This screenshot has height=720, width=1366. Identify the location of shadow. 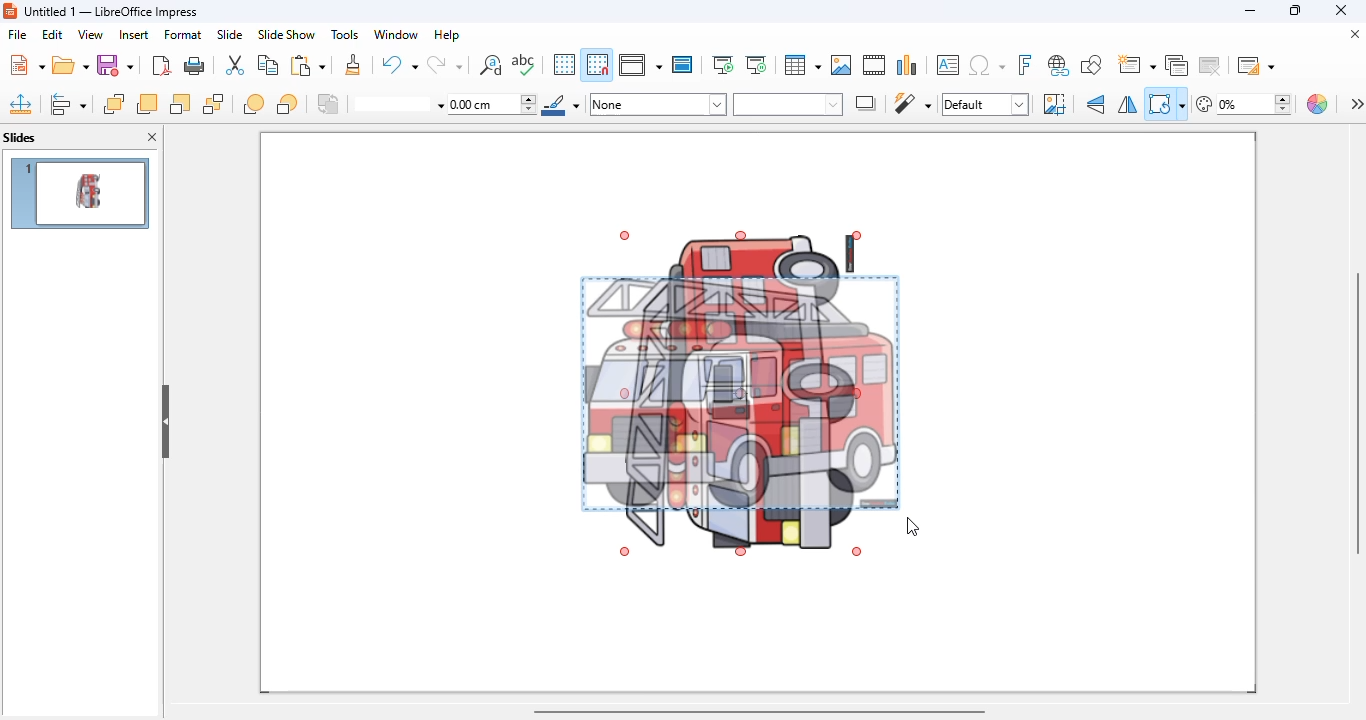
(867, 103).